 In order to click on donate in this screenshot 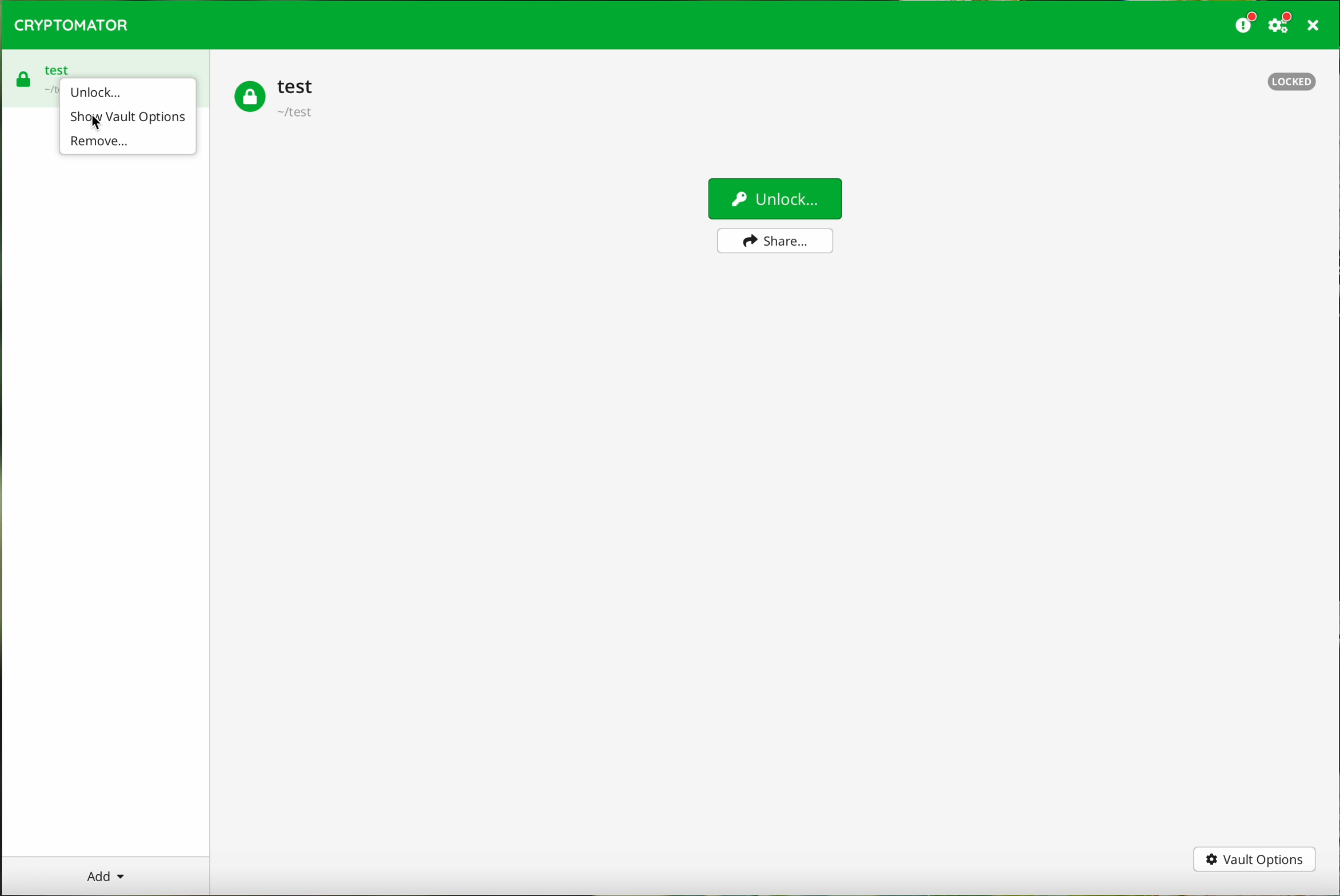, I will do `click(1243, 25)`.